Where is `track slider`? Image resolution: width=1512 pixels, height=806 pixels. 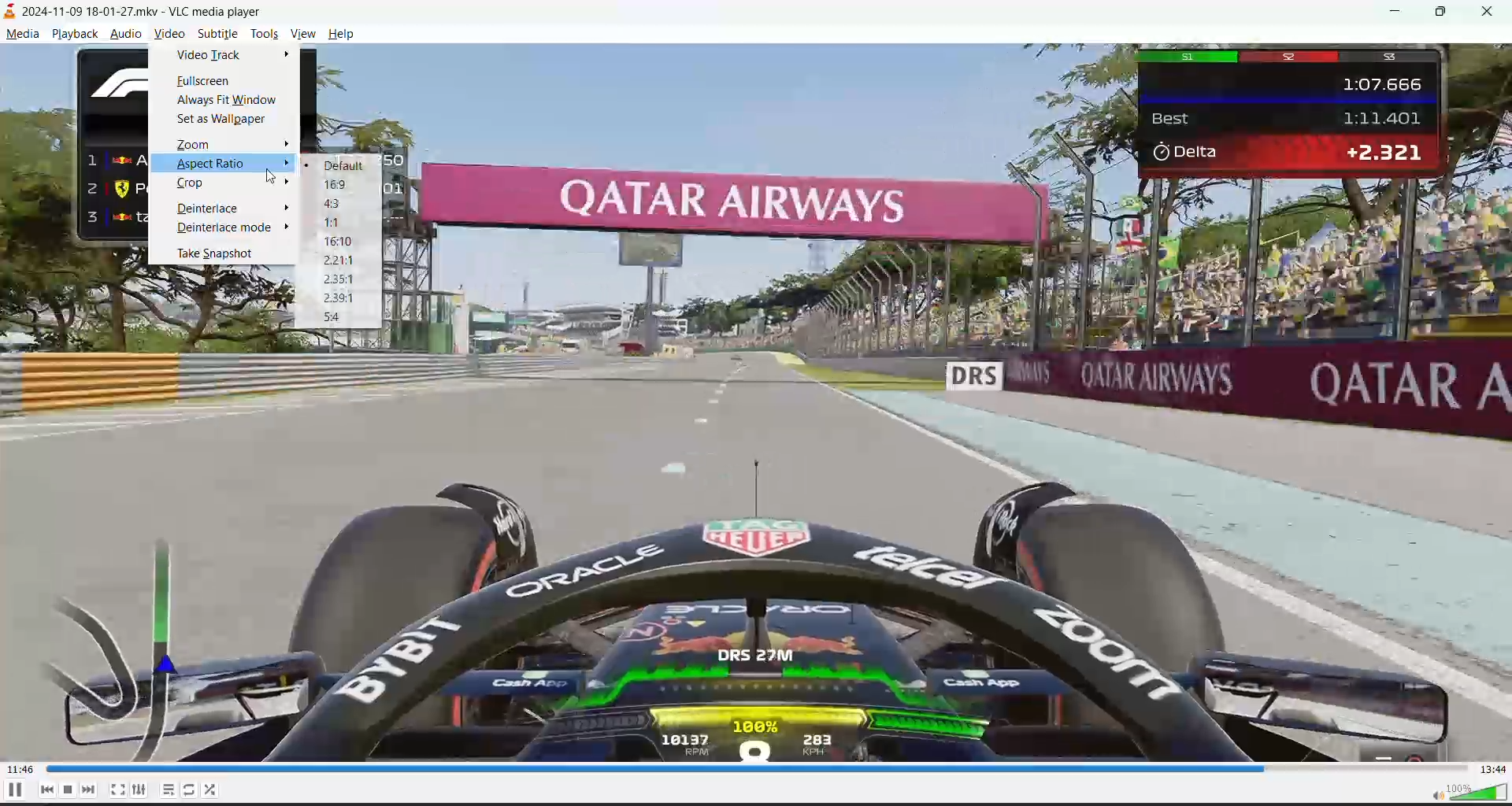
track slider is located at coordinates (758, 767).